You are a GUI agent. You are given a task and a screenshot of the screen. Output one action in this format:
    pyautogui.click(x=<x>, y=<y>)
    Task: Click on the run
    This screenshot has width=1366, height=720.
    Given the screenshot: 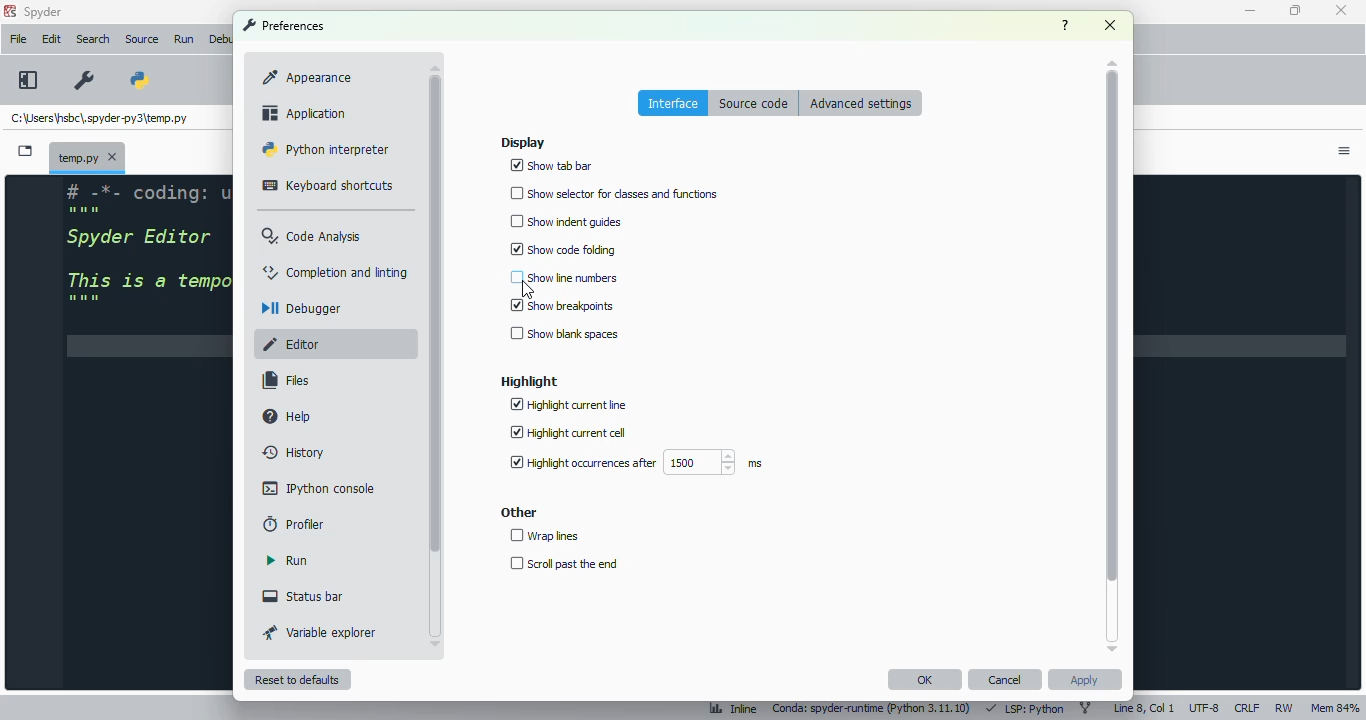 What is the action you would take?
    pyautogui.click(x=287, y=561)
    